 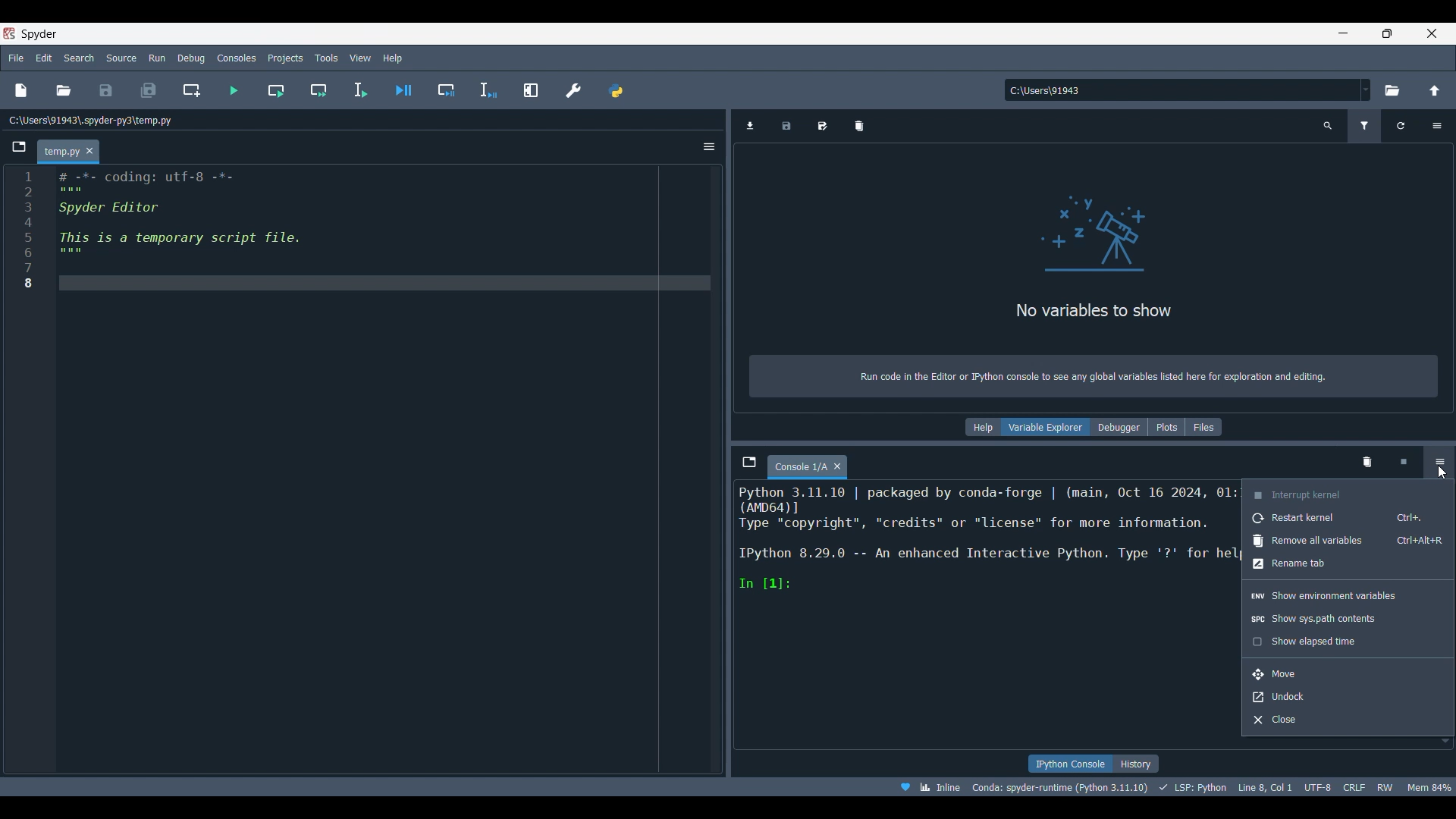 I want to click on Source menu, so click(x=121, y=58).